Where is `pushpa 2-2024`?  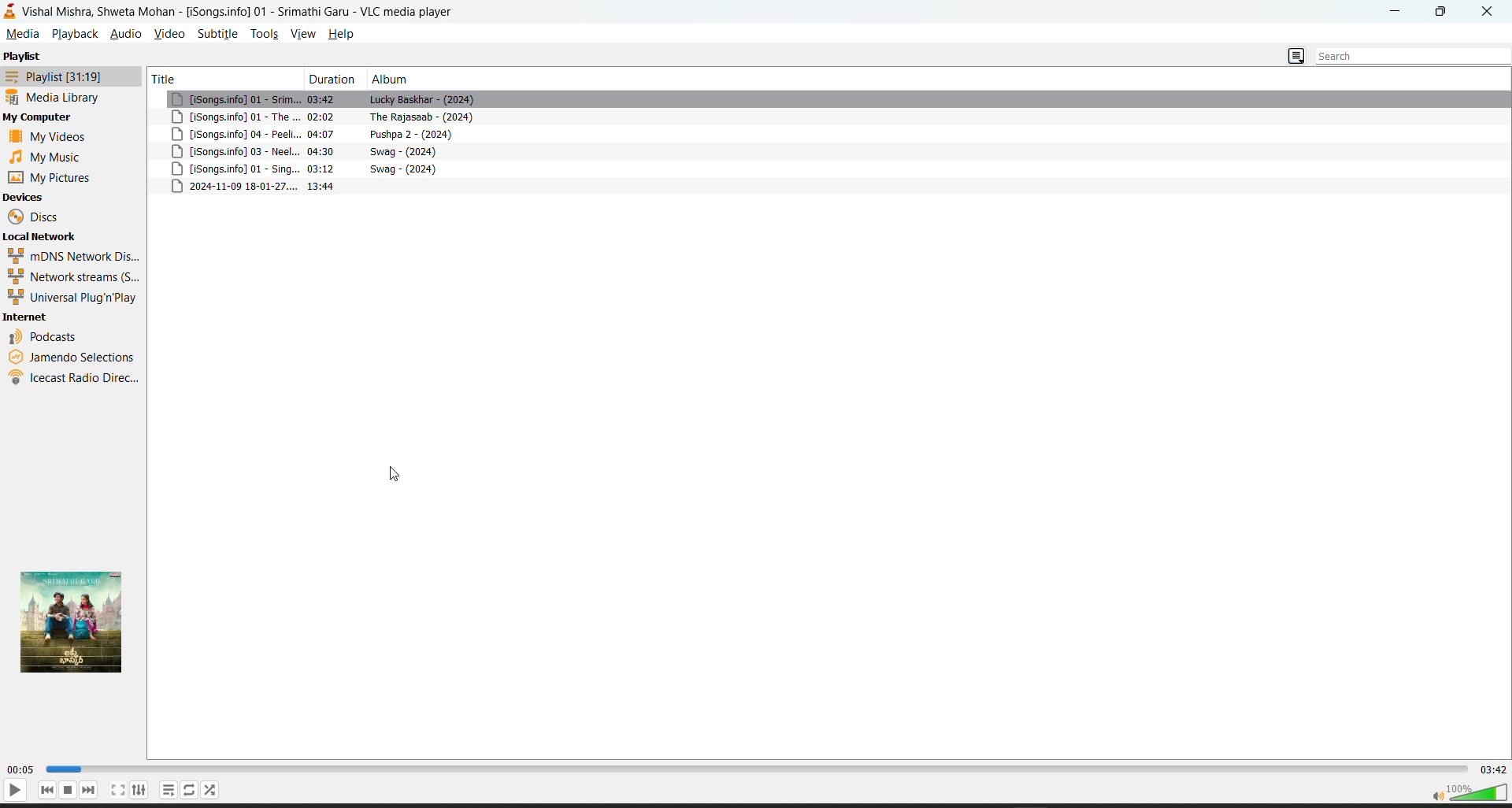 pushpa 2-2024 is located at coordinates (419, 135).